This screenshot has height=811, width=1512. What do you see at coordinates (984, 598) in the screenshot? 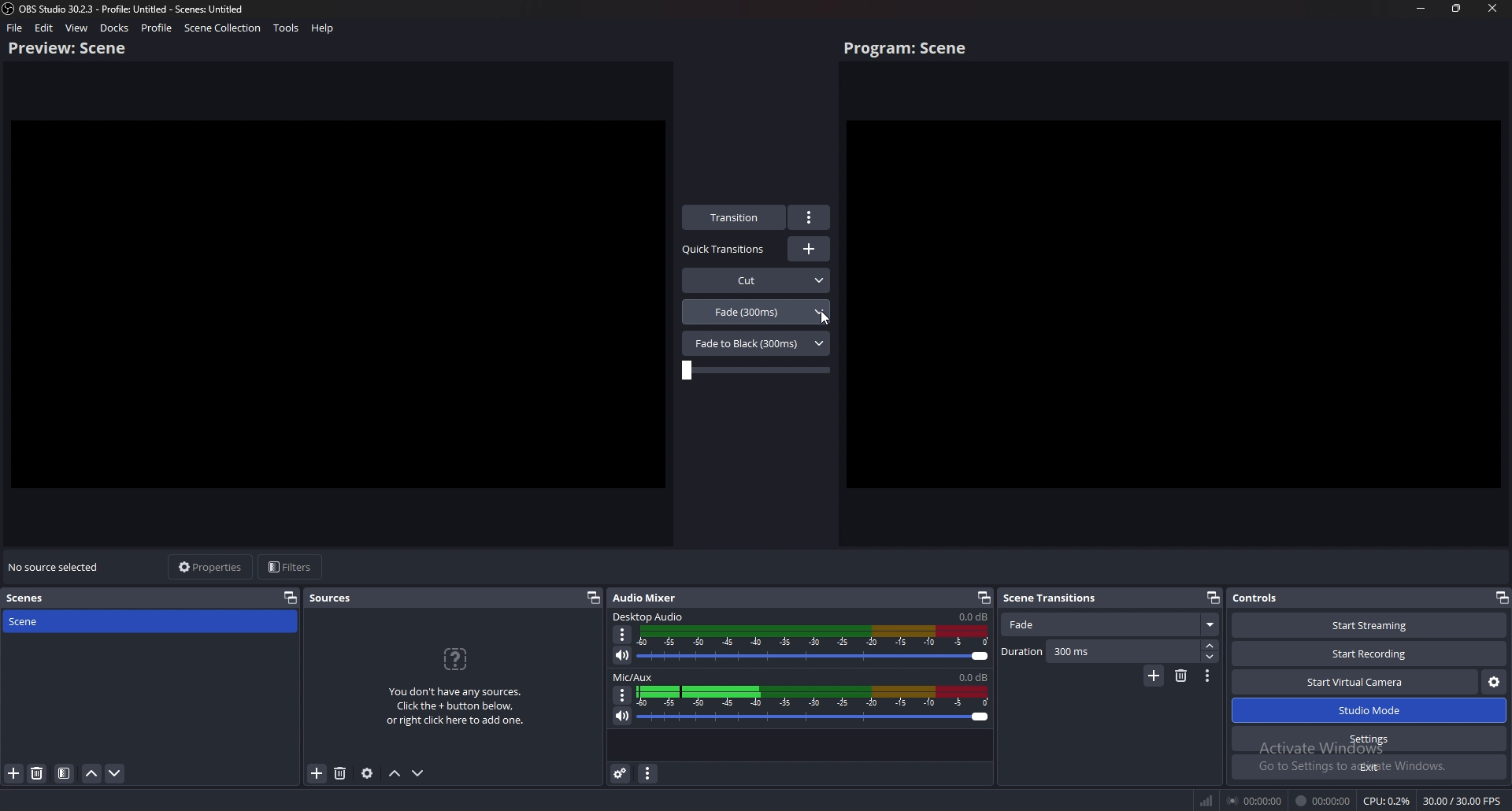
I see `Pop out` at bounding box center [984, 598].